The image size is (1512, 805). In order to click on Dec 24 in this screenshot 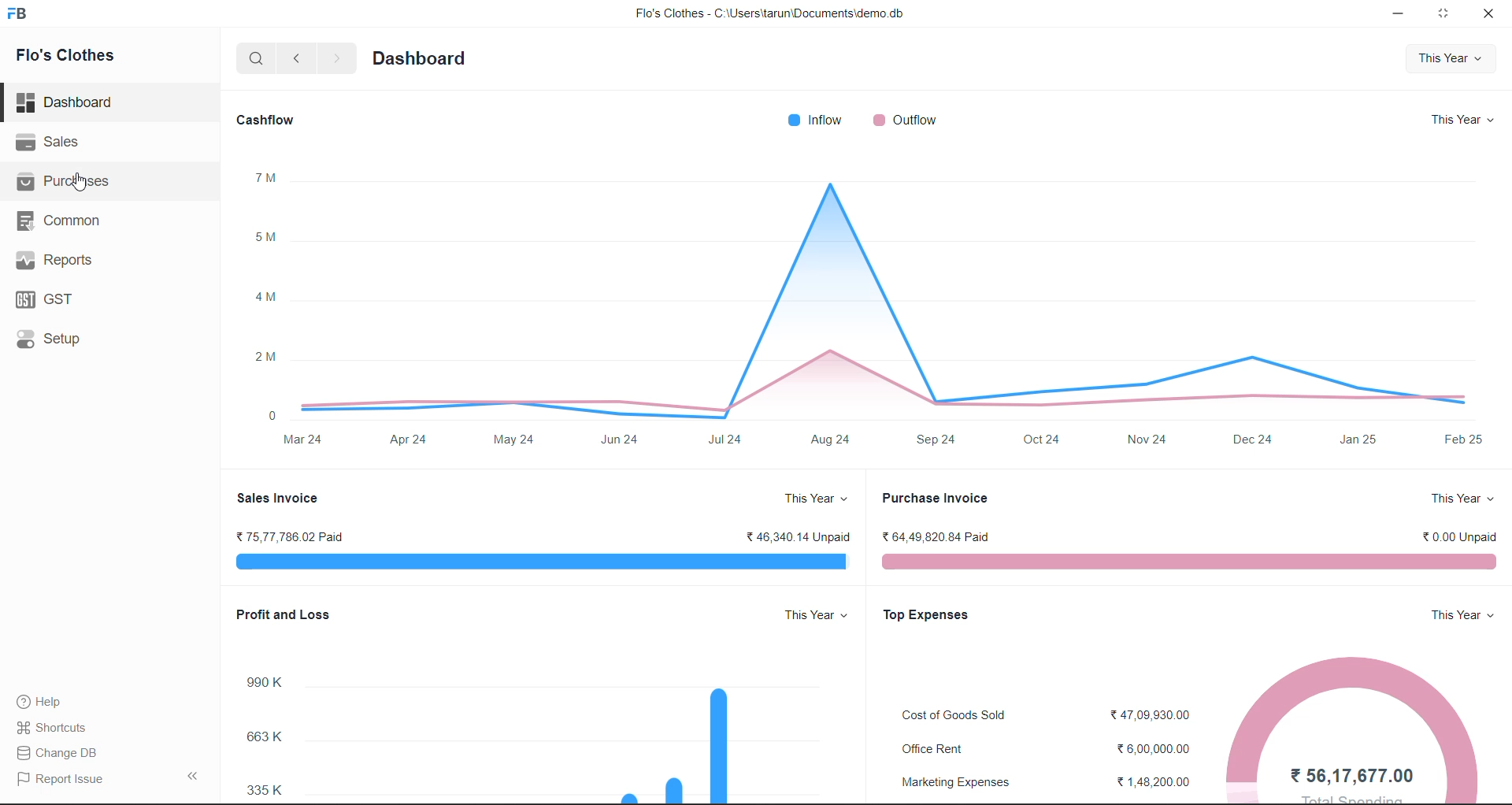, I will do `click(1250, 440)`.